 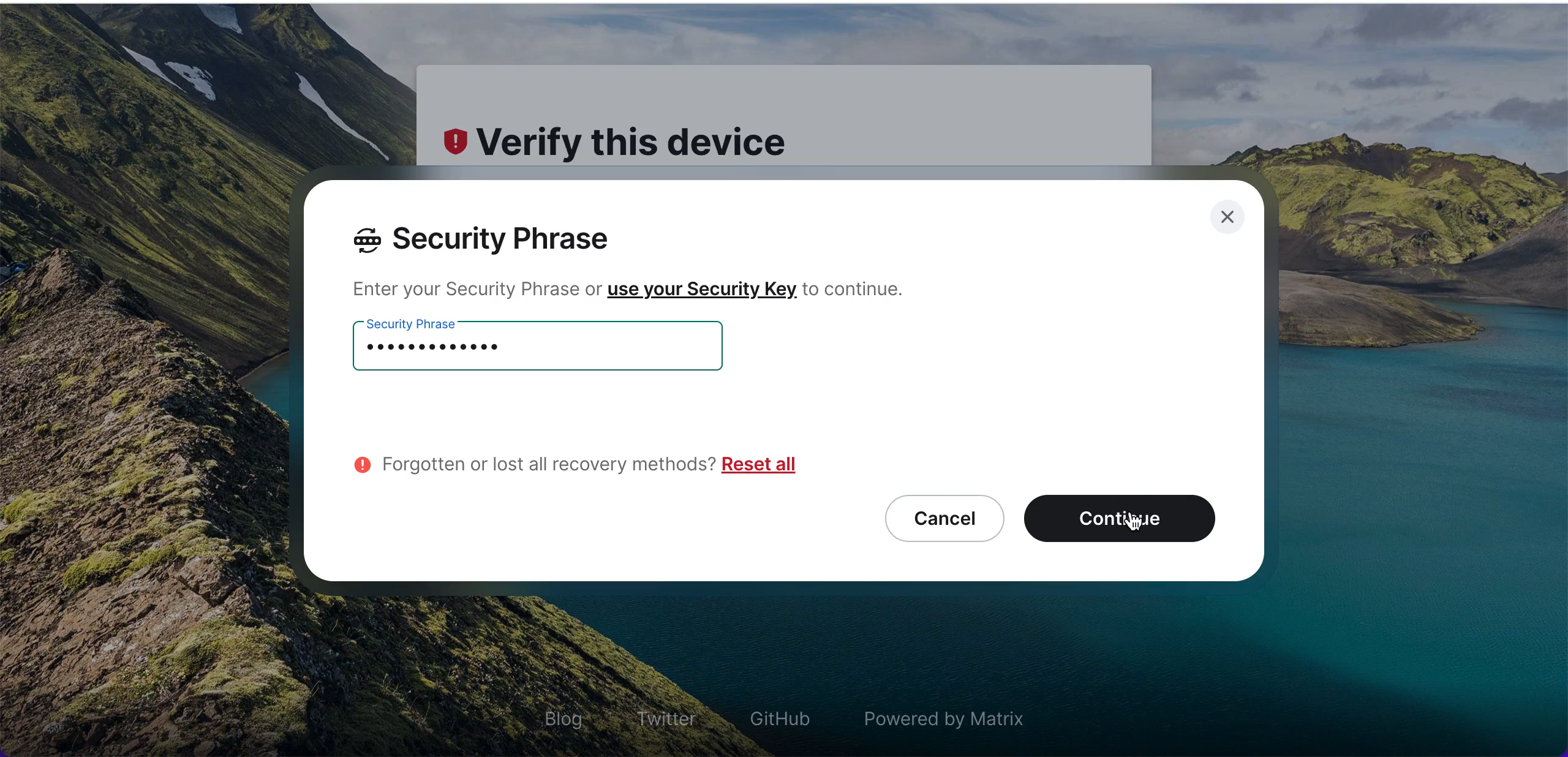 What do you see at coordinates (472, 291) in the screenshot?
I see `enter your security phrase or` at bounding box center [472, 291].